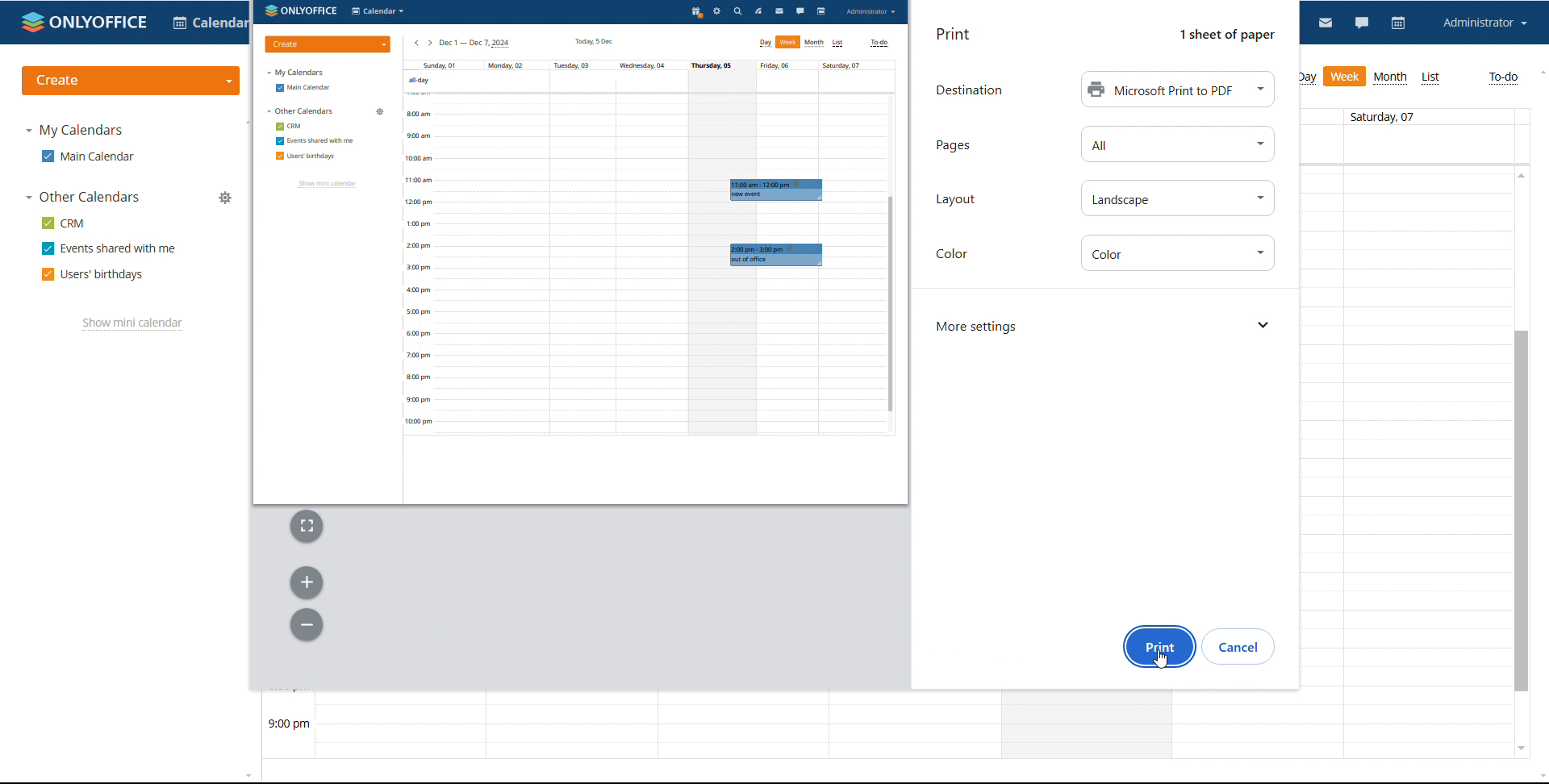 This screenshot has width=1549, height=784. Describe the element at coordinates (92, 275) in the screenshot. I see `users' birthdays` at that location.